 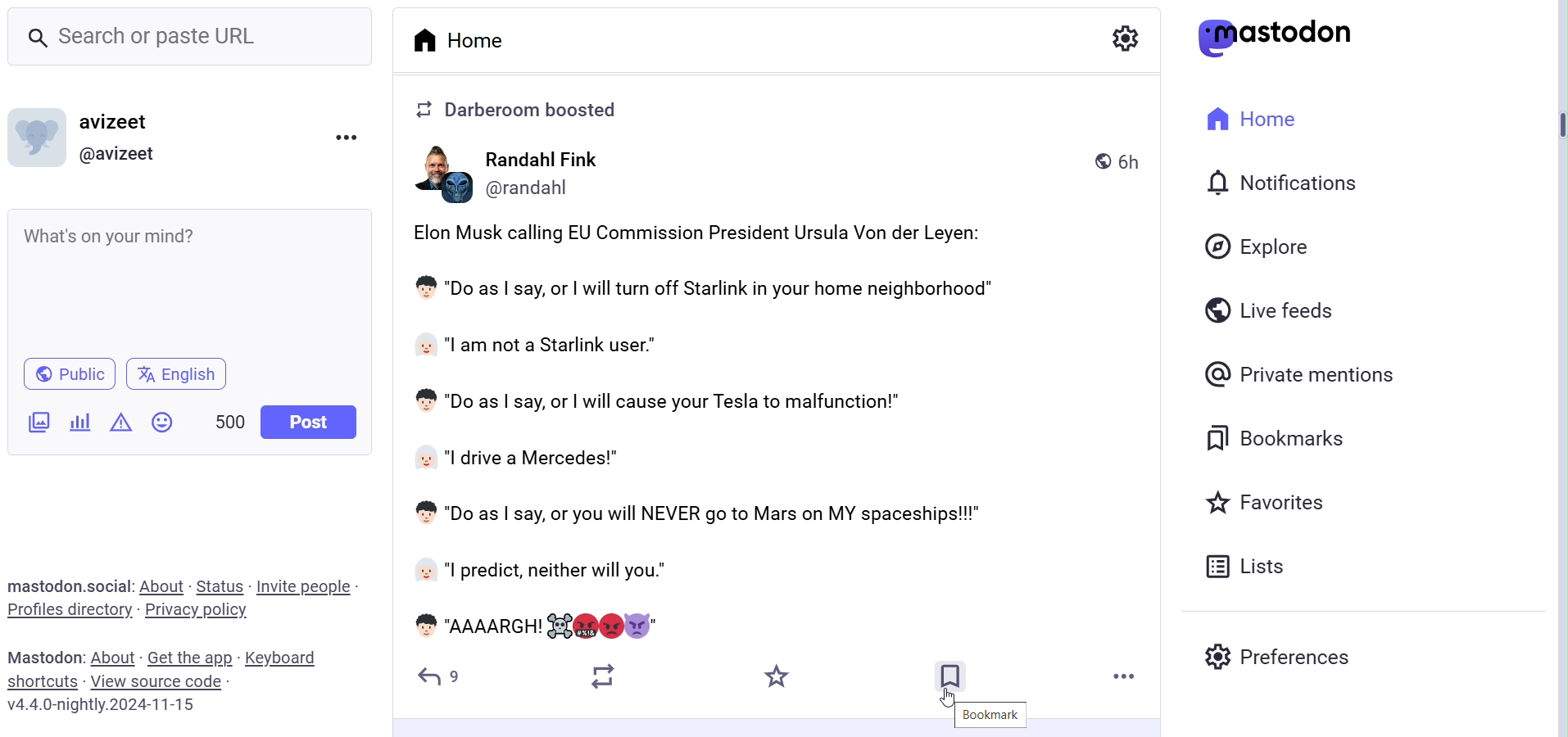 I want to click on Status, so click(x=219, y=586).